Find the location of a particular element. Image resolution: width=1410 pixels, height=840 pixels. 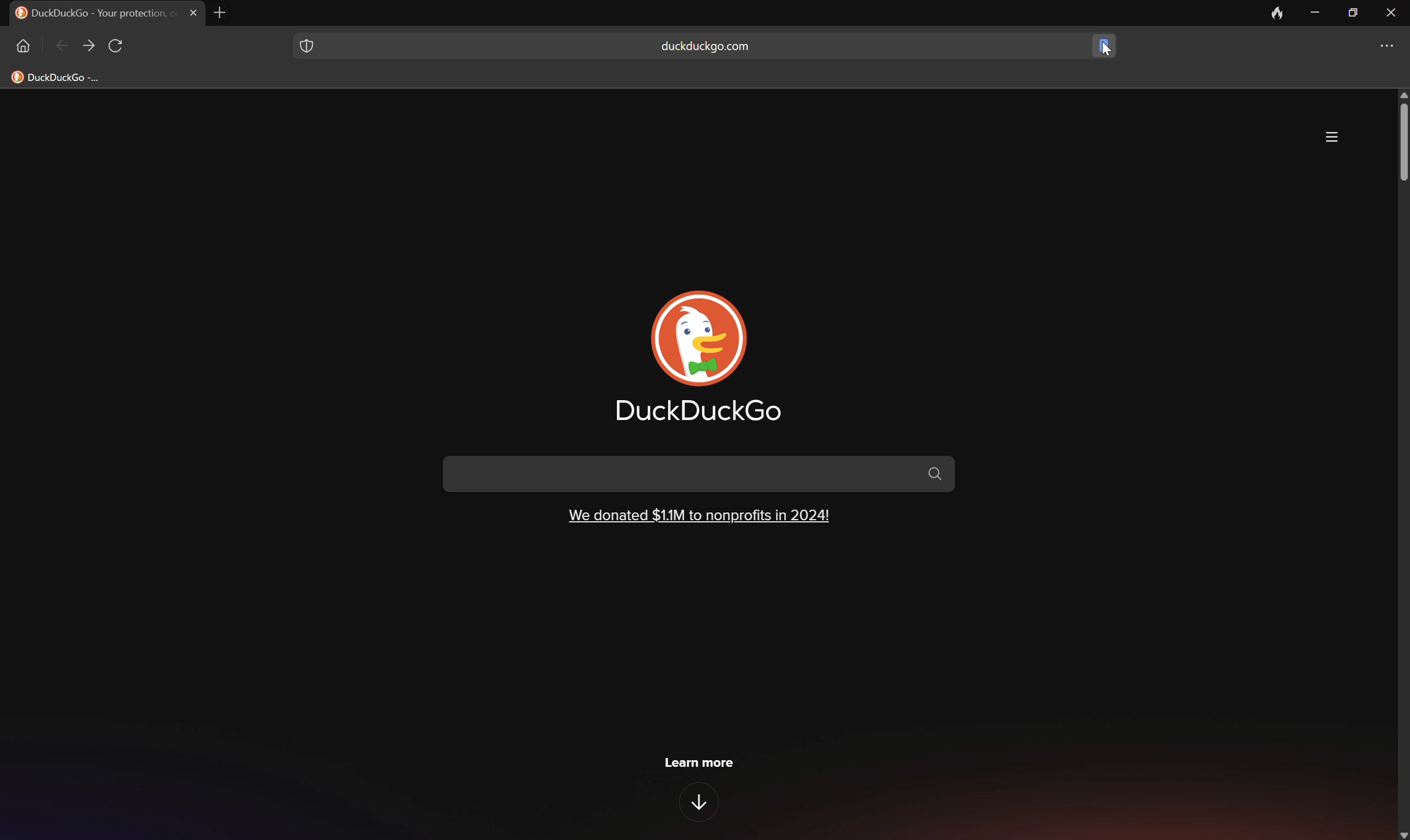

Scroll Bar is located at coordinates (1401, 142).